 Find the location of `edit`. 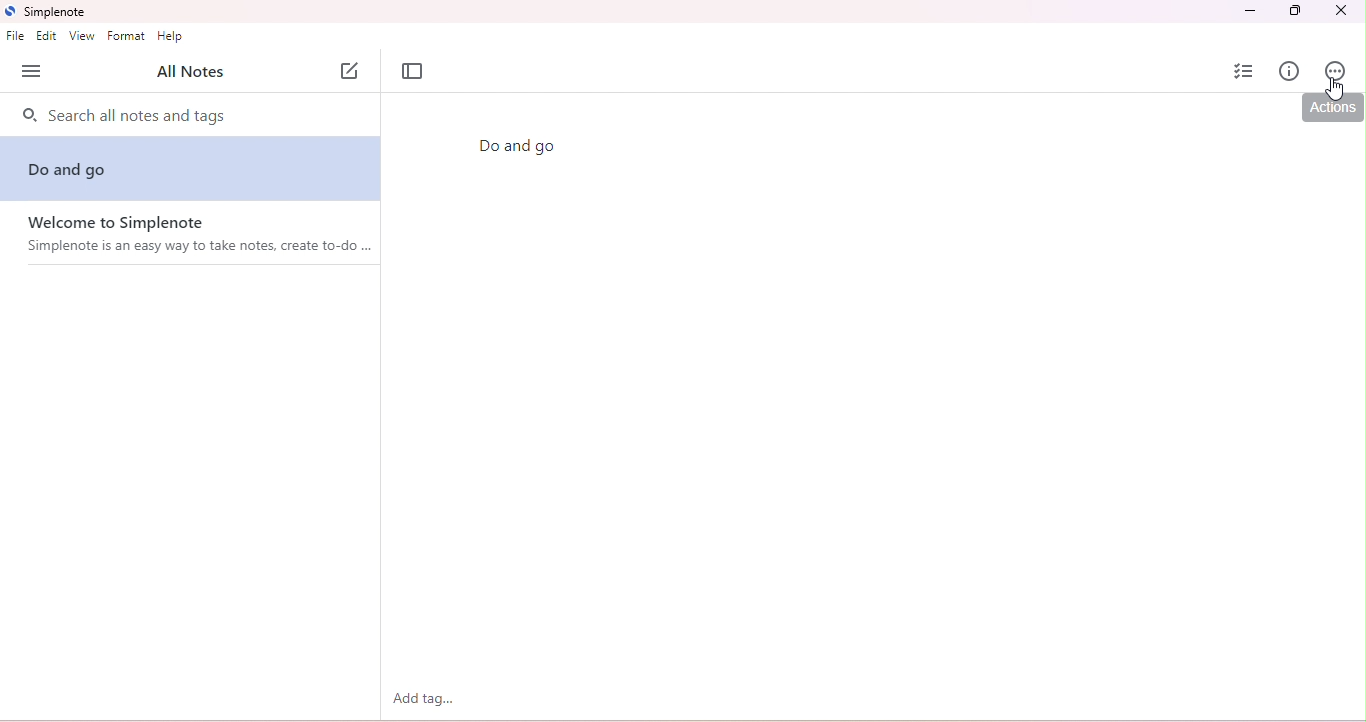

edit is located at coordinates (47, 36).